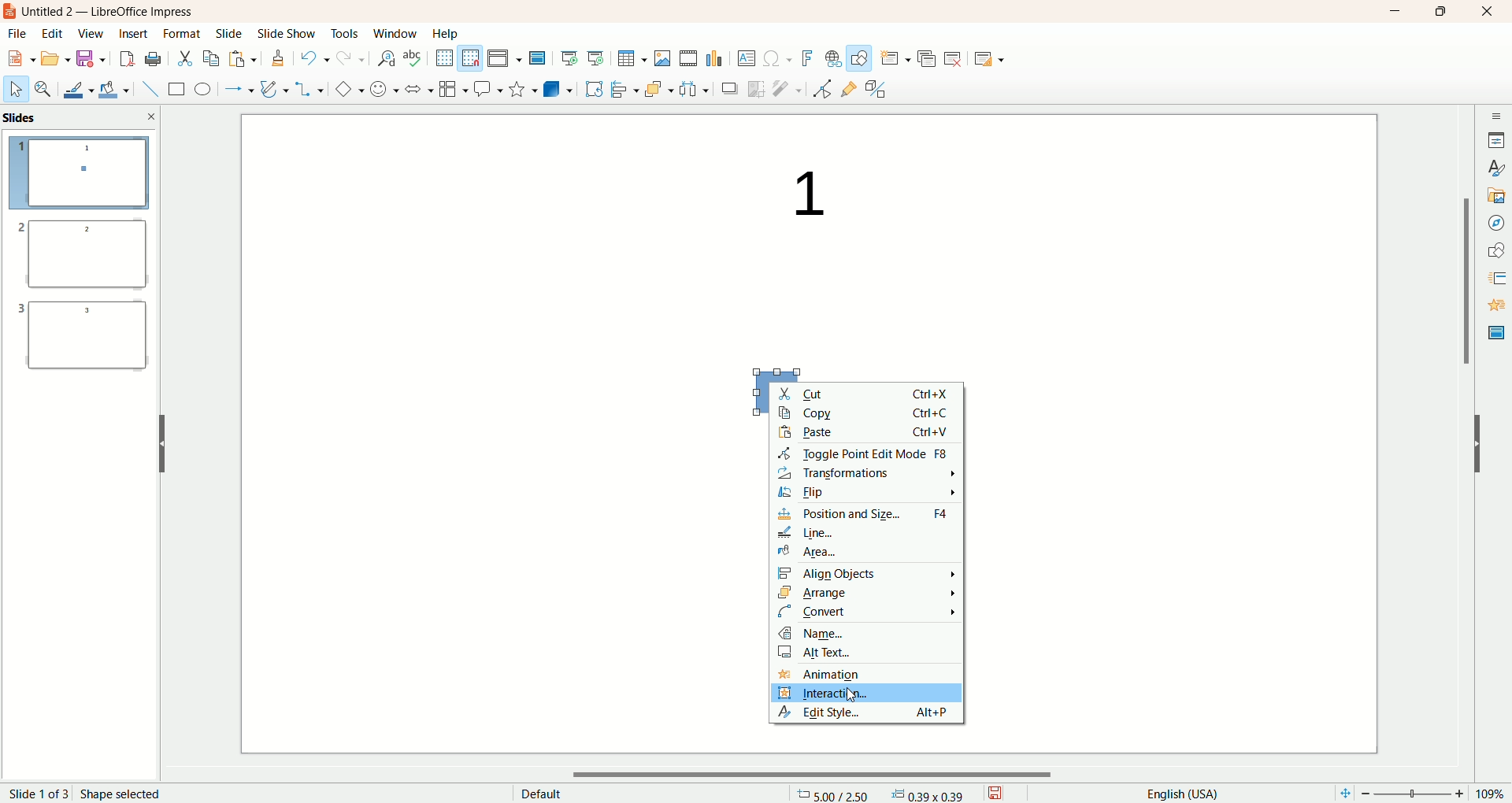 The height and width of the screenshot is (803, 1512). Describe the element at coordinates (1495, 276) in the screenshot. I see `slide transition` at that location.